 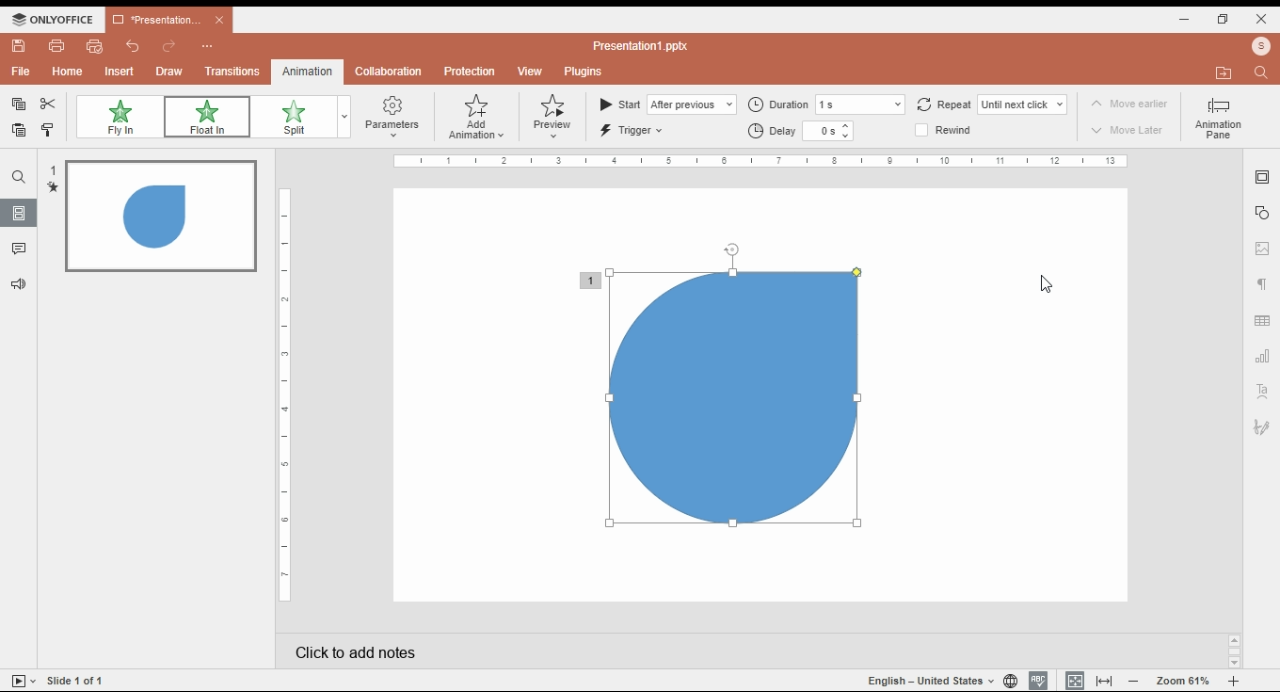 What do you see at coordinates (1262, 357) in the screenshot?
I see `chart settings` at bounding box center [1262, 357].